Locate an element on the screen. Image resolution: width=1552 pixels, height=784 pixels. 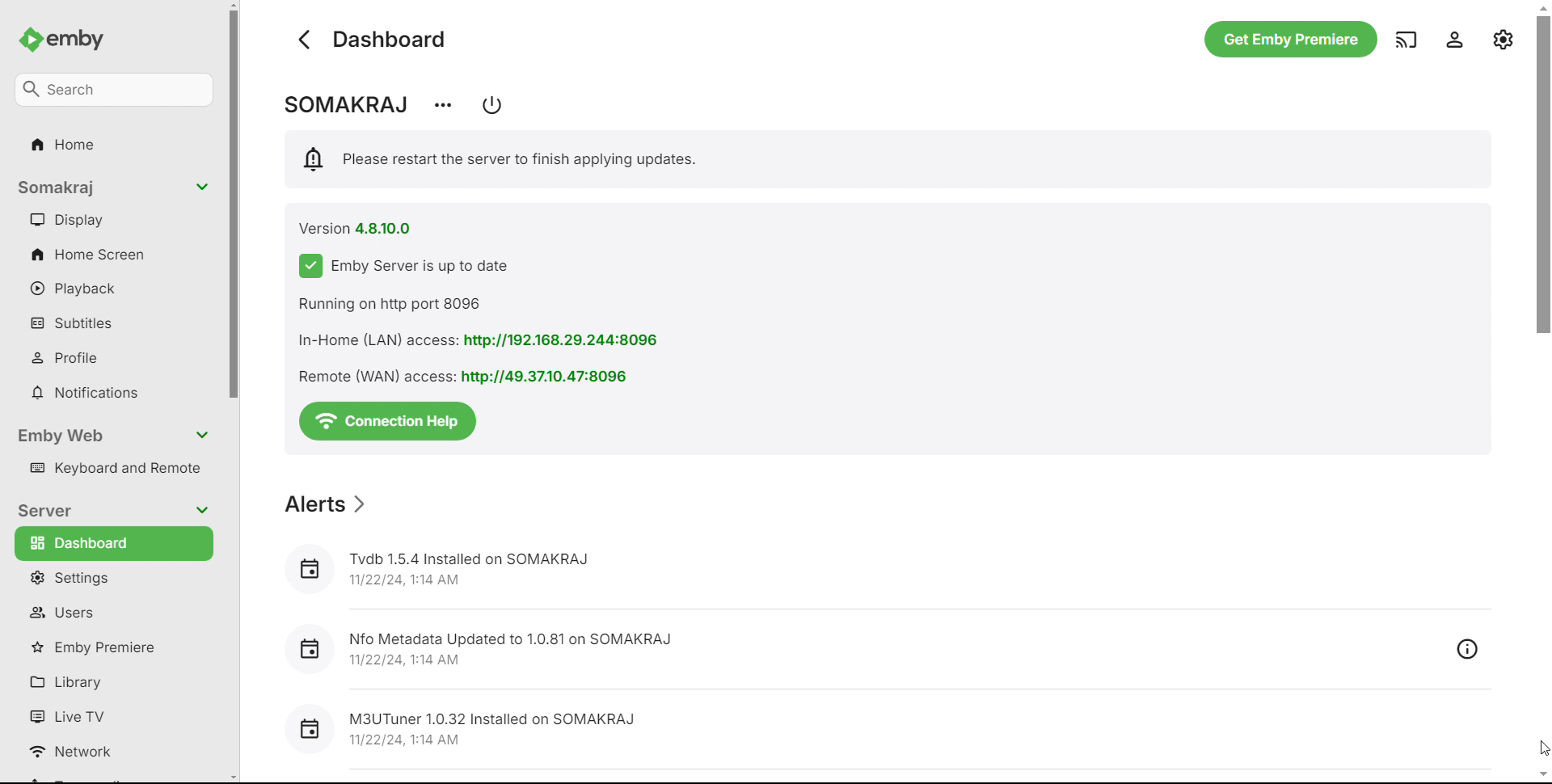
Remote (WAN) access: | is located at coordinates (368, 377).